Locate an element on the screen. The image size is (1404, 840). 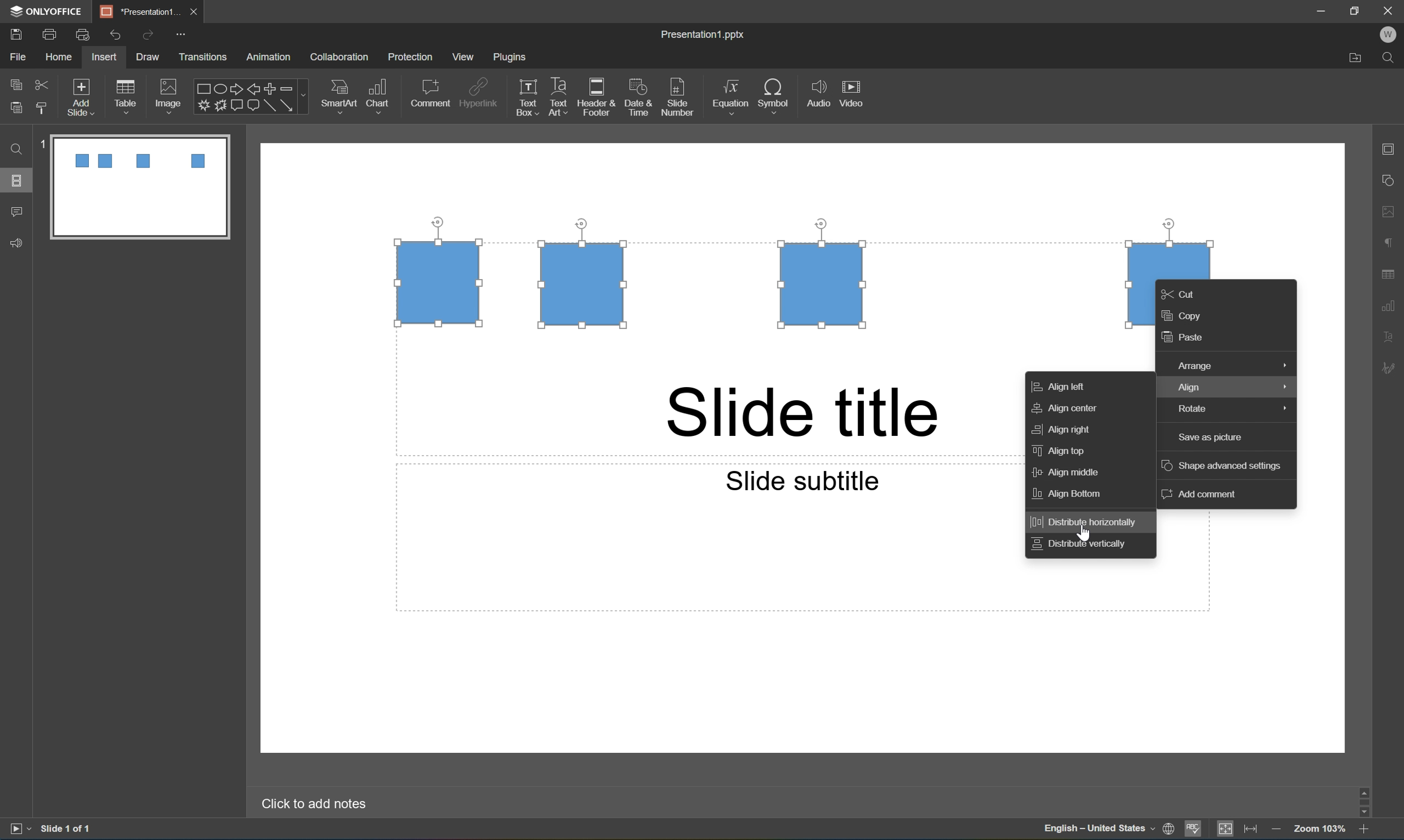
scroll bar is located at coordinates (1367, 801).